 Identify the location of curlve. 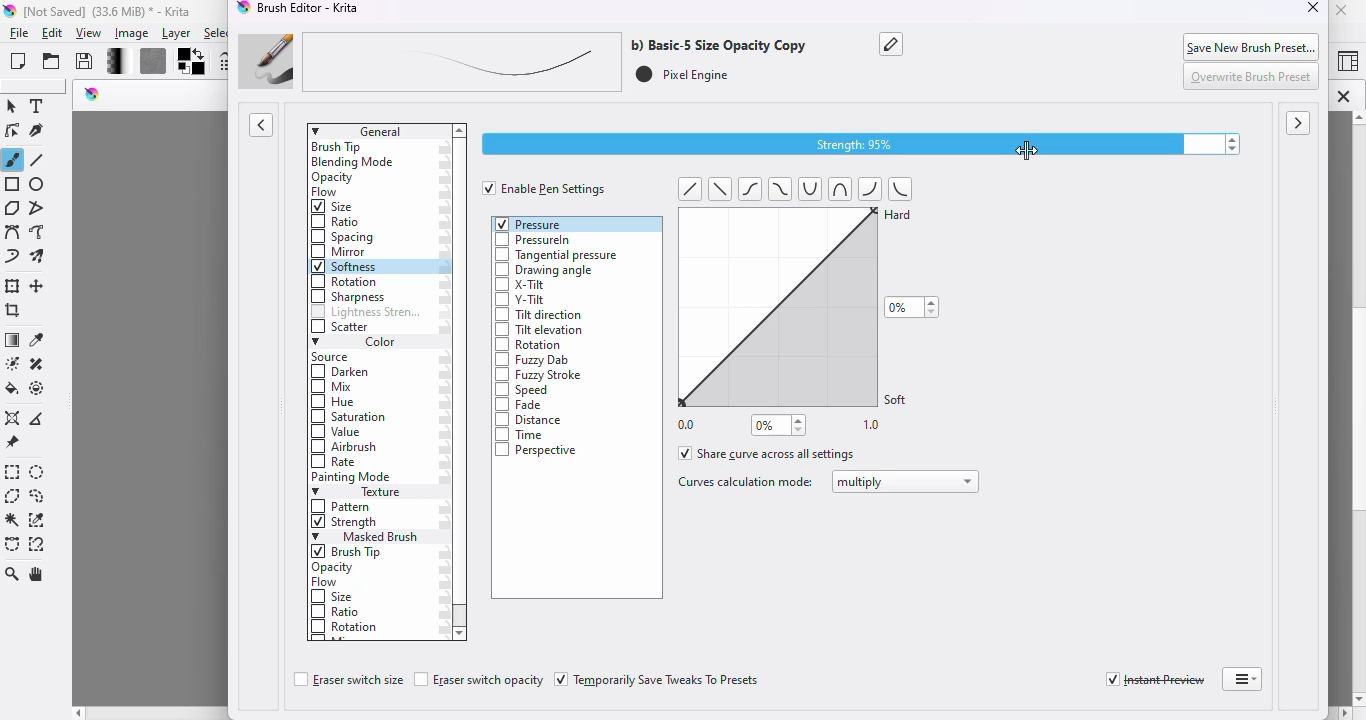
(836, 188).